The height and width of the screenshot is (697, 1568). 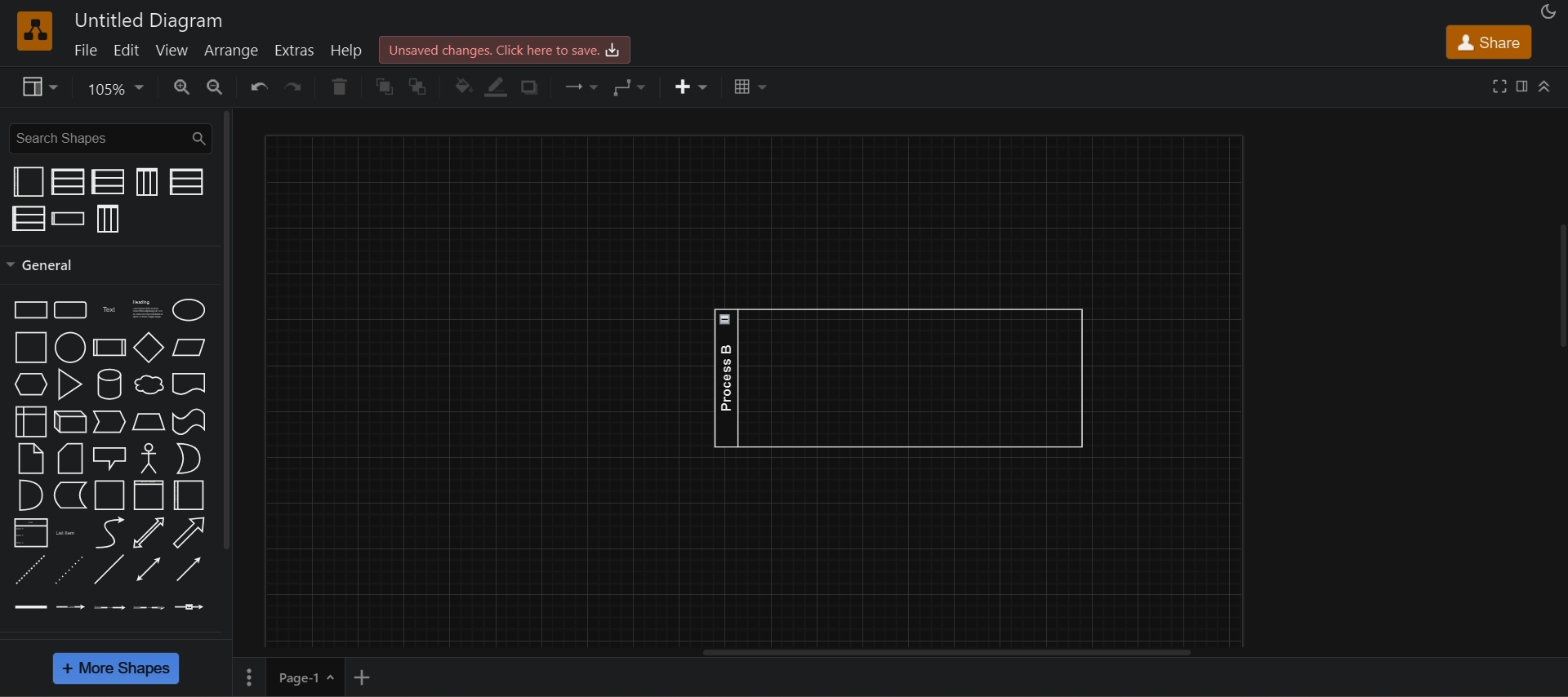 I want to click on actor, so click(x=148, y=458).